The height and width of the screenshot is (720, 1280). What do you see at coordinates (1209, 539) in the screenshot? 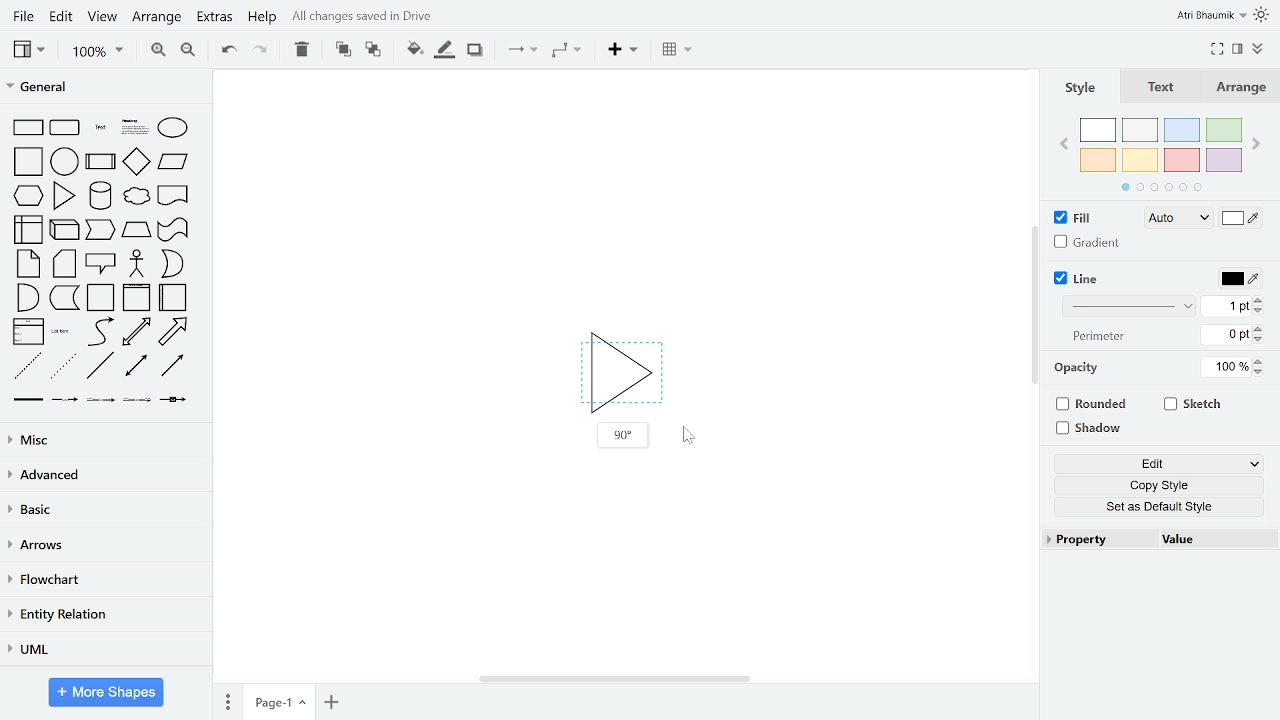
I see `value` at bounding box center [1209, 539].